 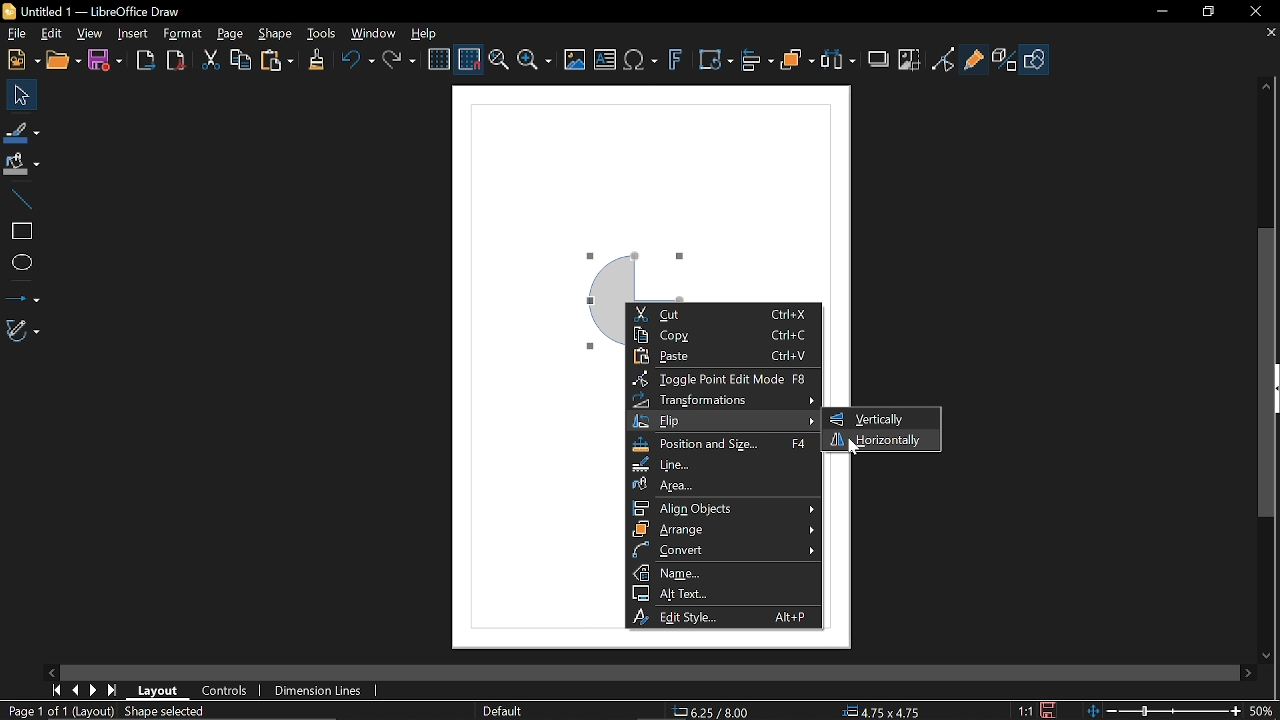 I want to click on Insert fontwork, so click(x=678, y=60).